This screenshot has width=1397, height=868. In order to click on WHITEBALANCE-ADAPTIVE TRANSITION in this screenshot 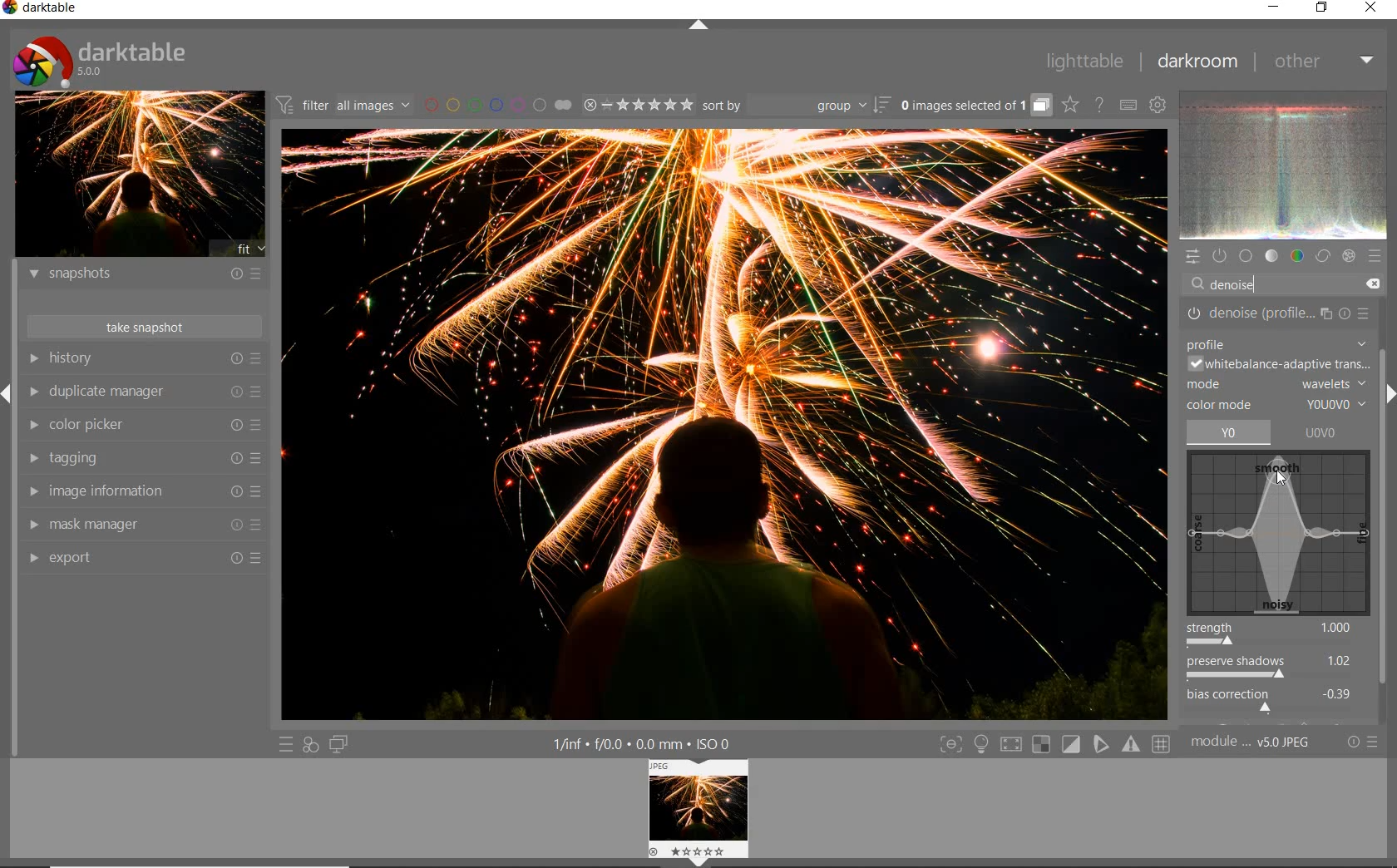, I will do `click(1277, 365)`.